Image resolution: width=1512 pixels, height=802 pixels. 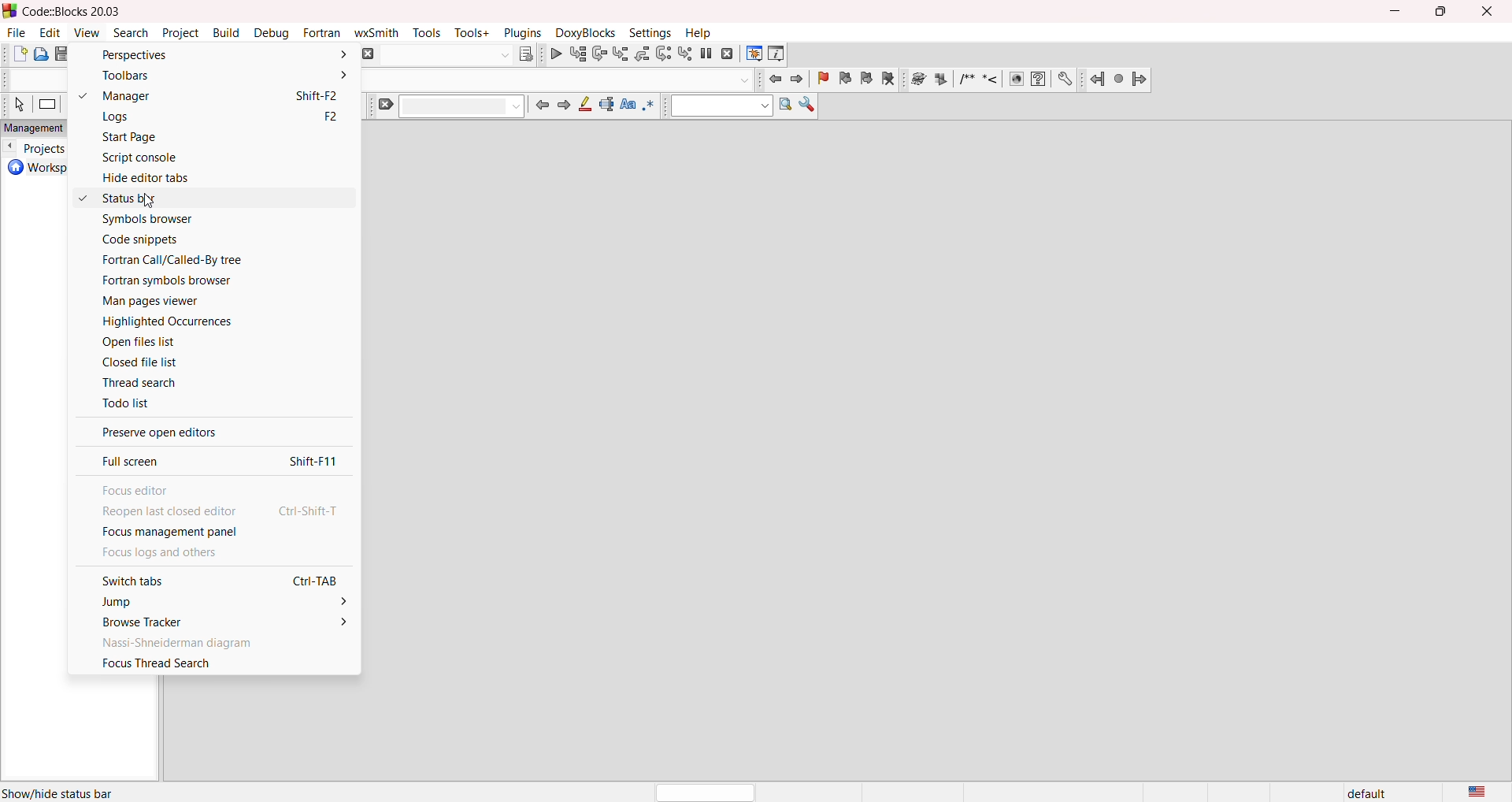 I want to click on Code::Blocks 20.03, so click(x=67, y=11).